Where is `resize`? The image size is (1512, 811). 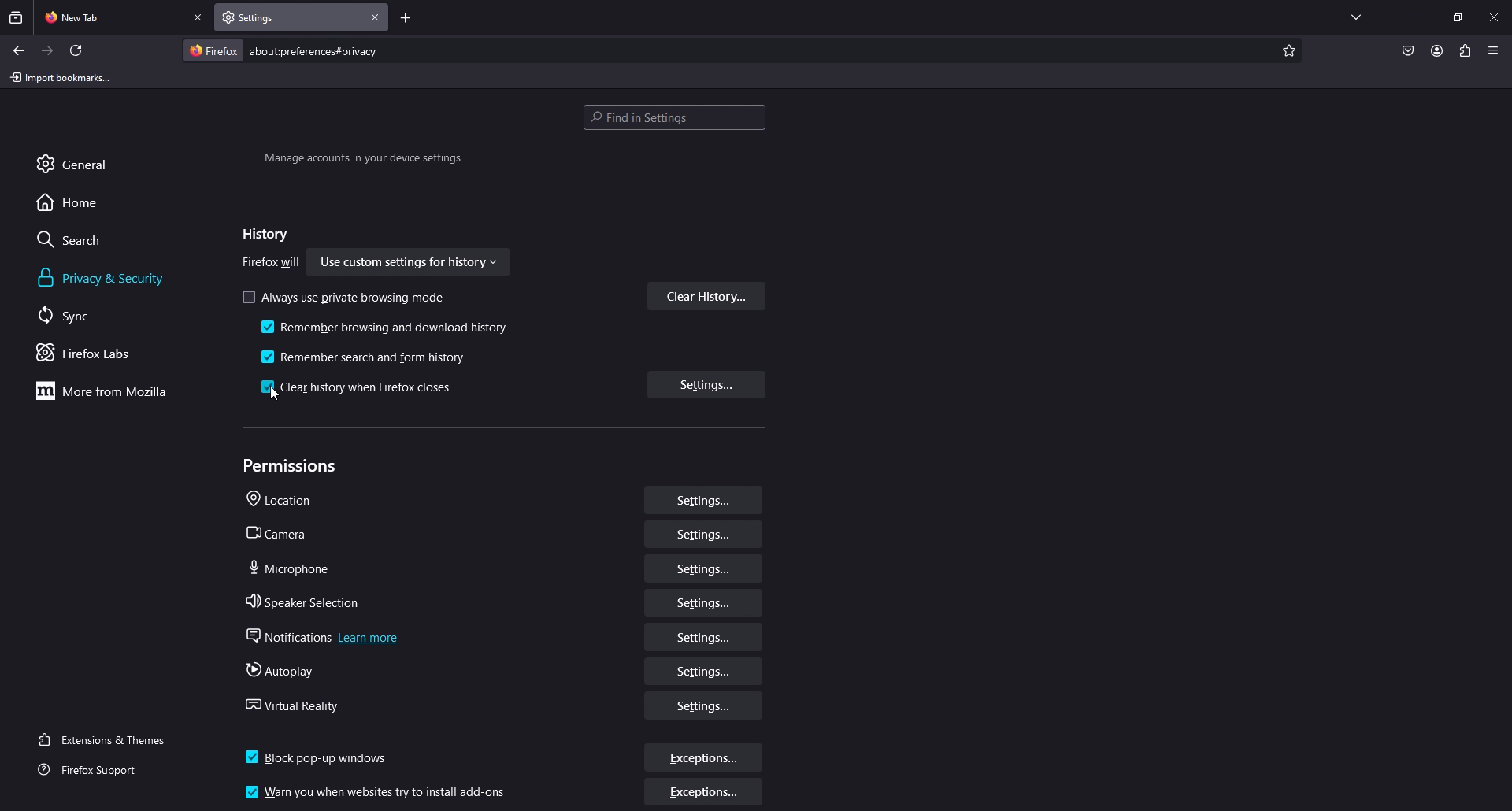
resize is located at coordinates (1458, 17).